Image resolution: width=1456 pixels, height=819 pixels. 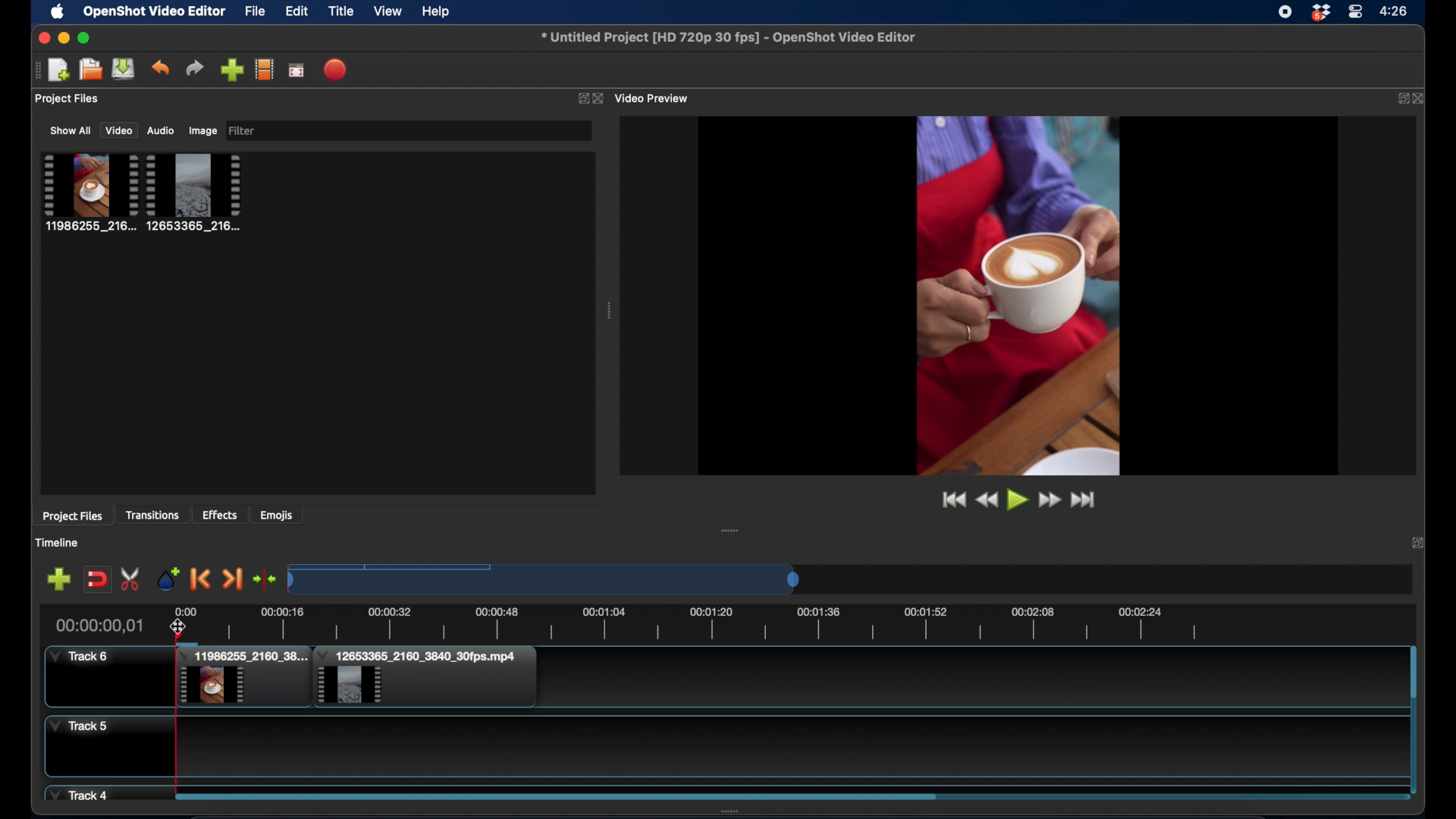 What do you see at coordinates (202, 580) in the screenshot?
I see `previous marker` at bounding box center [202, 580].